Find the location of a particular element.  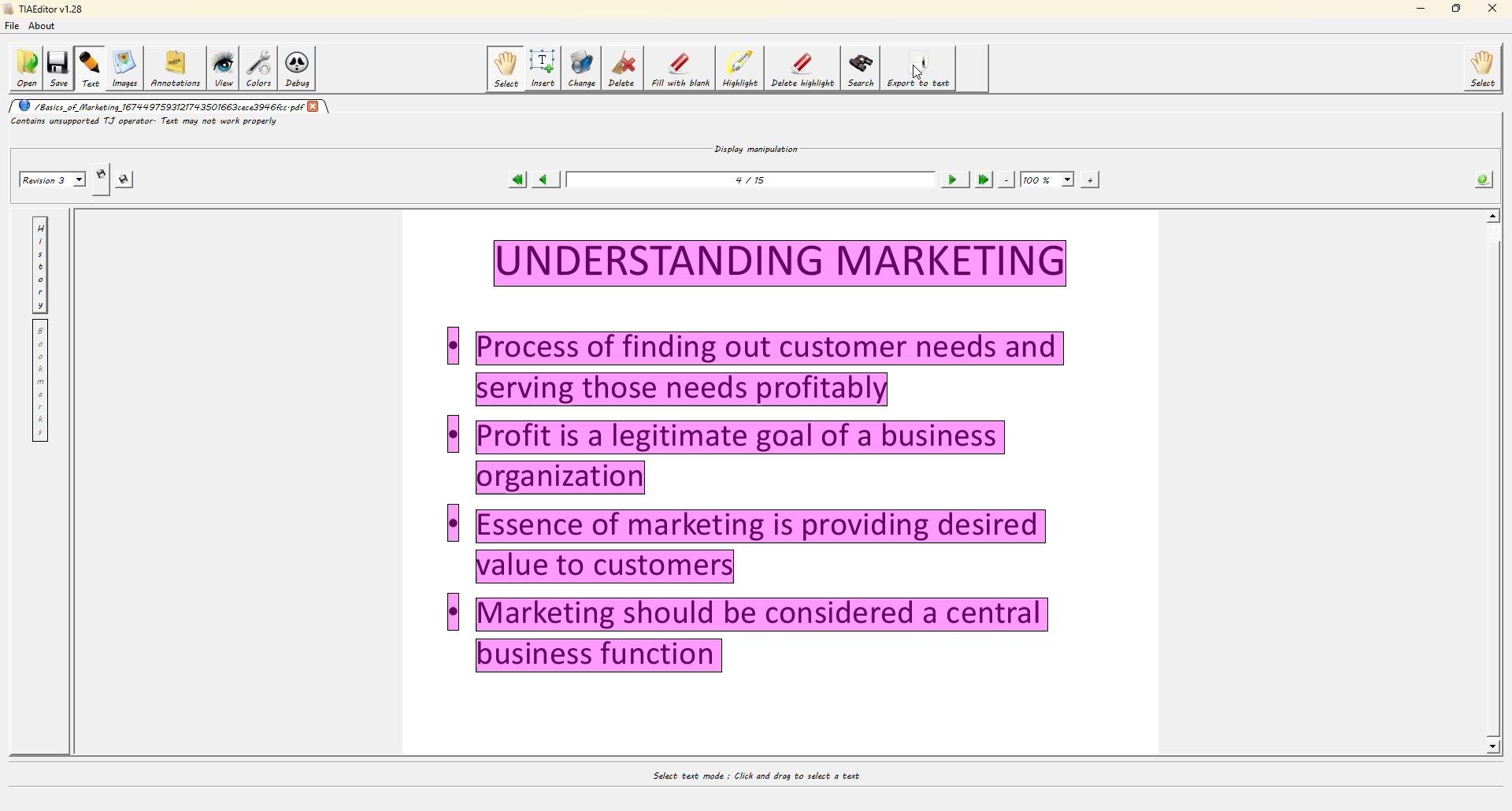

history is located at coordinates (39, 265).